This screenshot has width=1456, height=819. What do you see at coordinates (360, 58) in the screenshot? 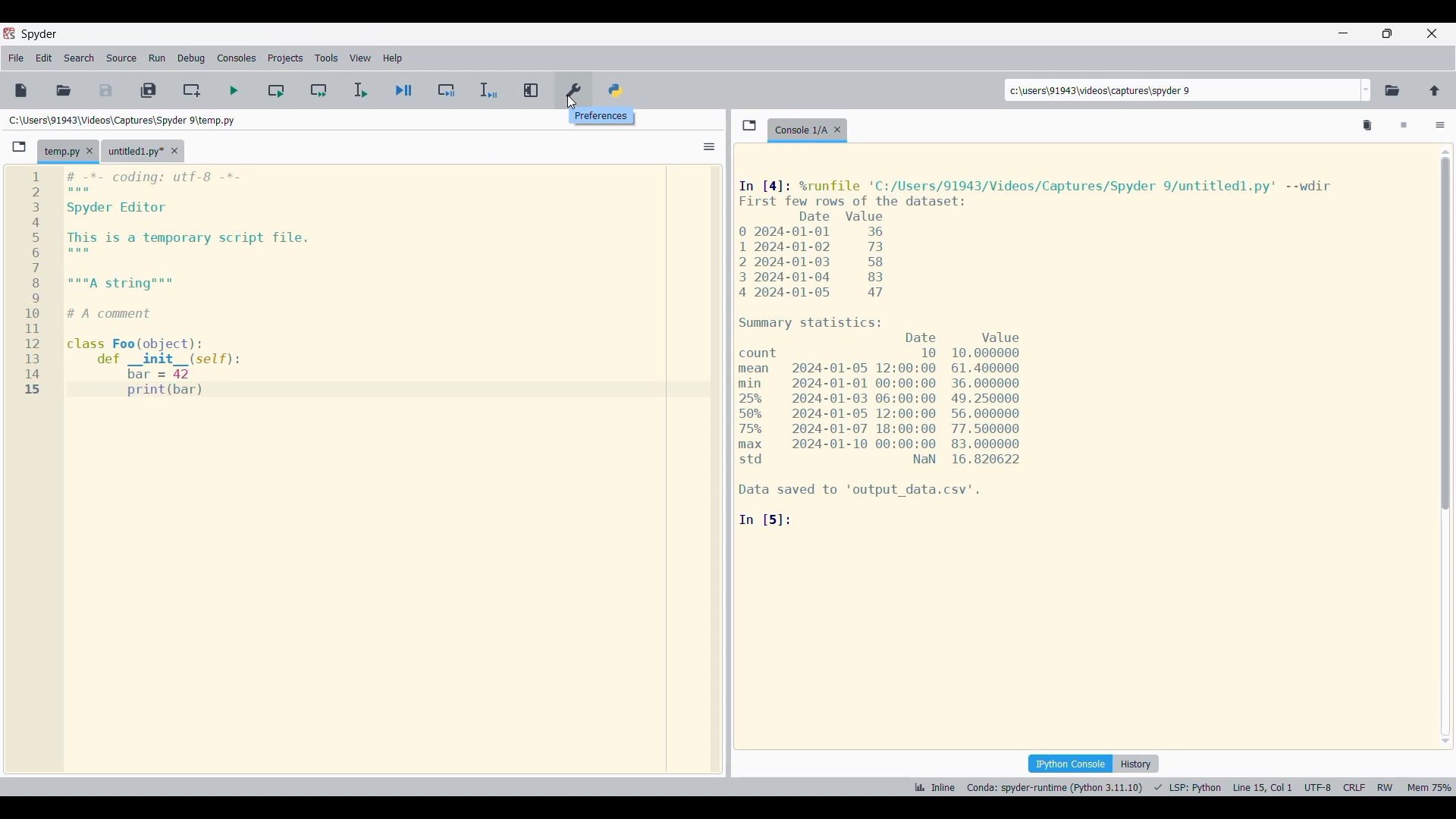
I see `View menu ` at bounding box center [360, 58].